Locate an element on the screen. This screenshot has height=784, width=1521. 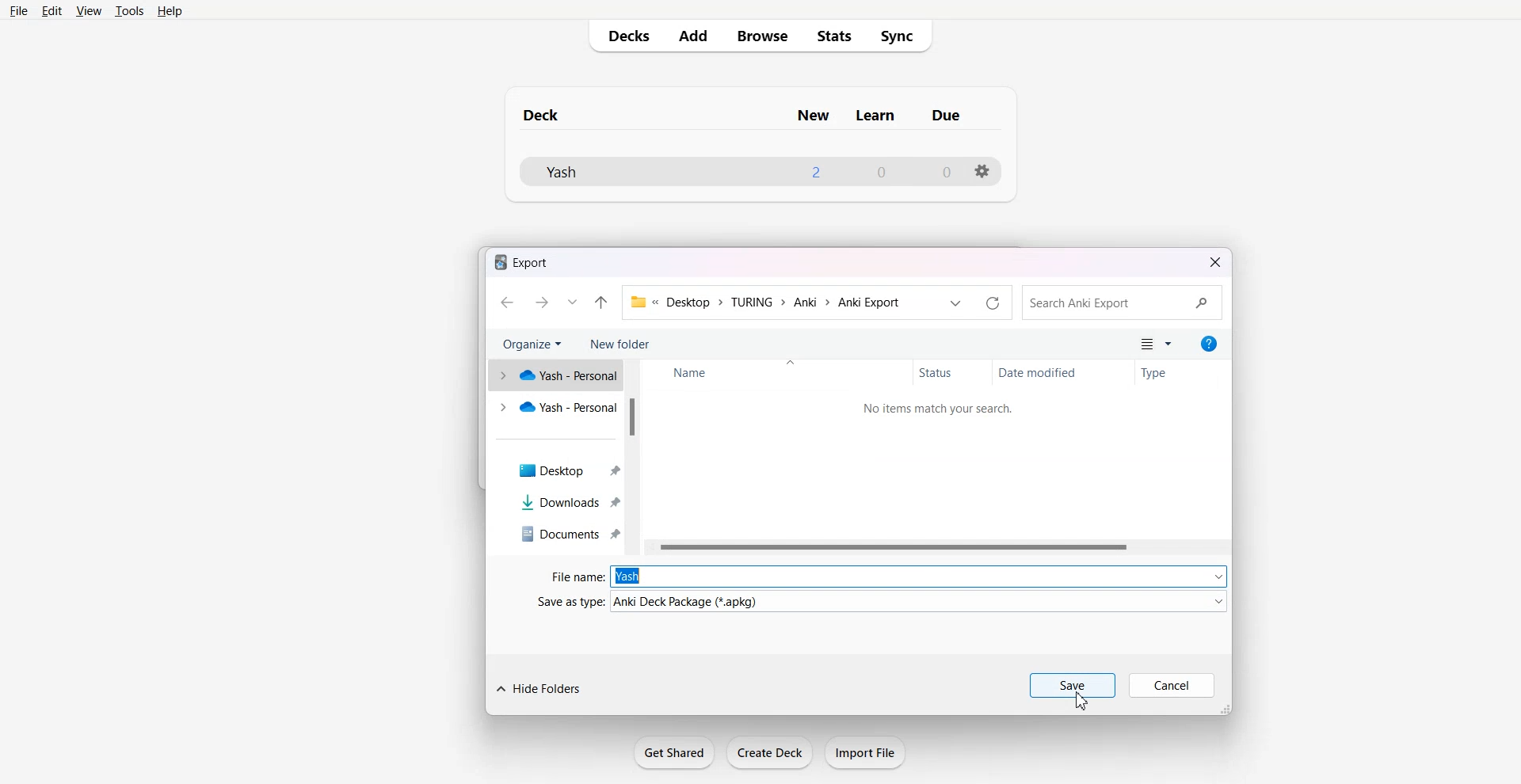
Save as type is located at coordinates (879, 601).